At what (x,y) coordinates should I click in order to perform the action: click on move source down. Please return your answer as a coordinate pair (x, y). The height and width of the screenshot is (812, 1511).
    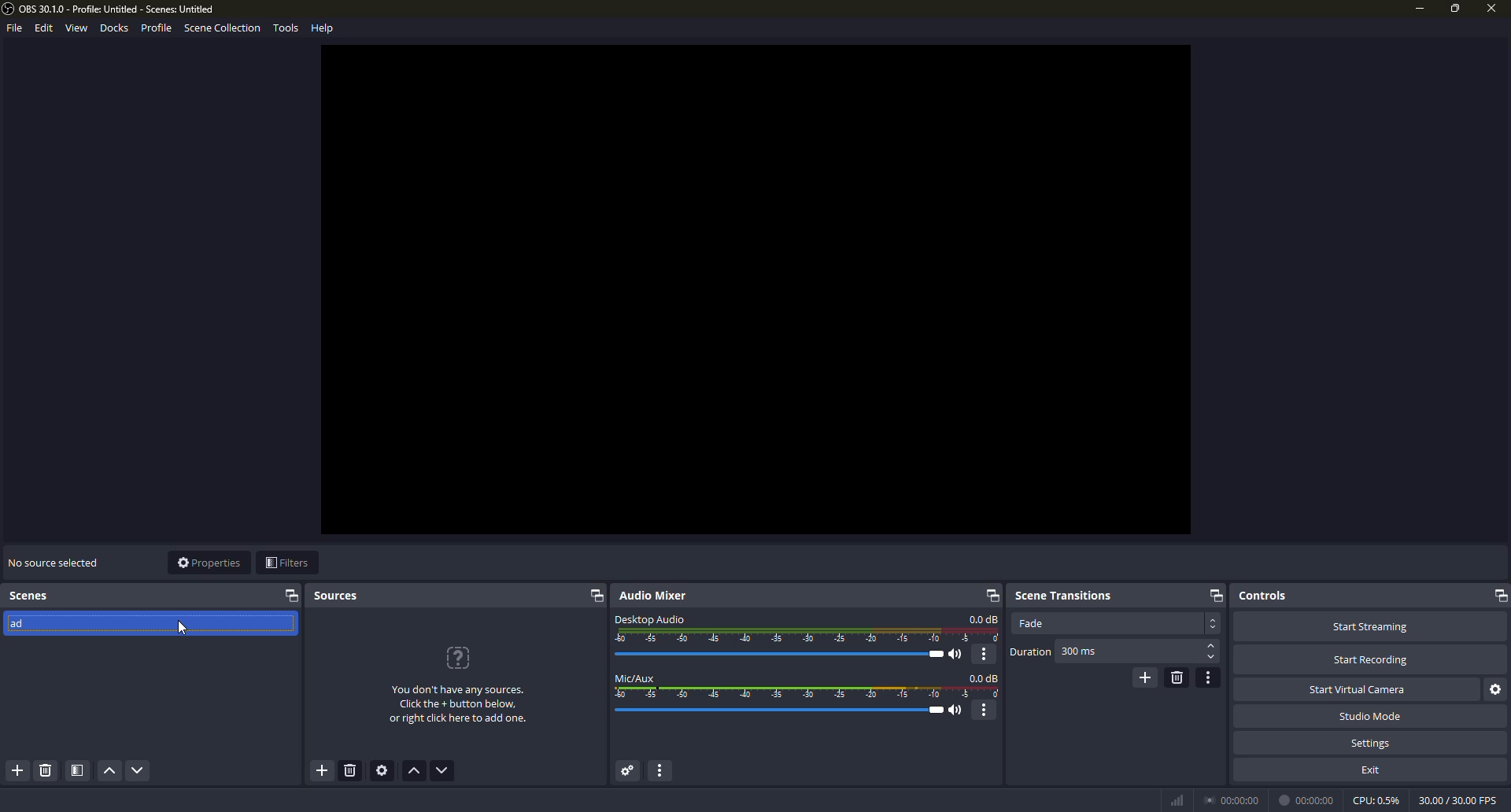
    Looking at the image, I should click on (442, 771).